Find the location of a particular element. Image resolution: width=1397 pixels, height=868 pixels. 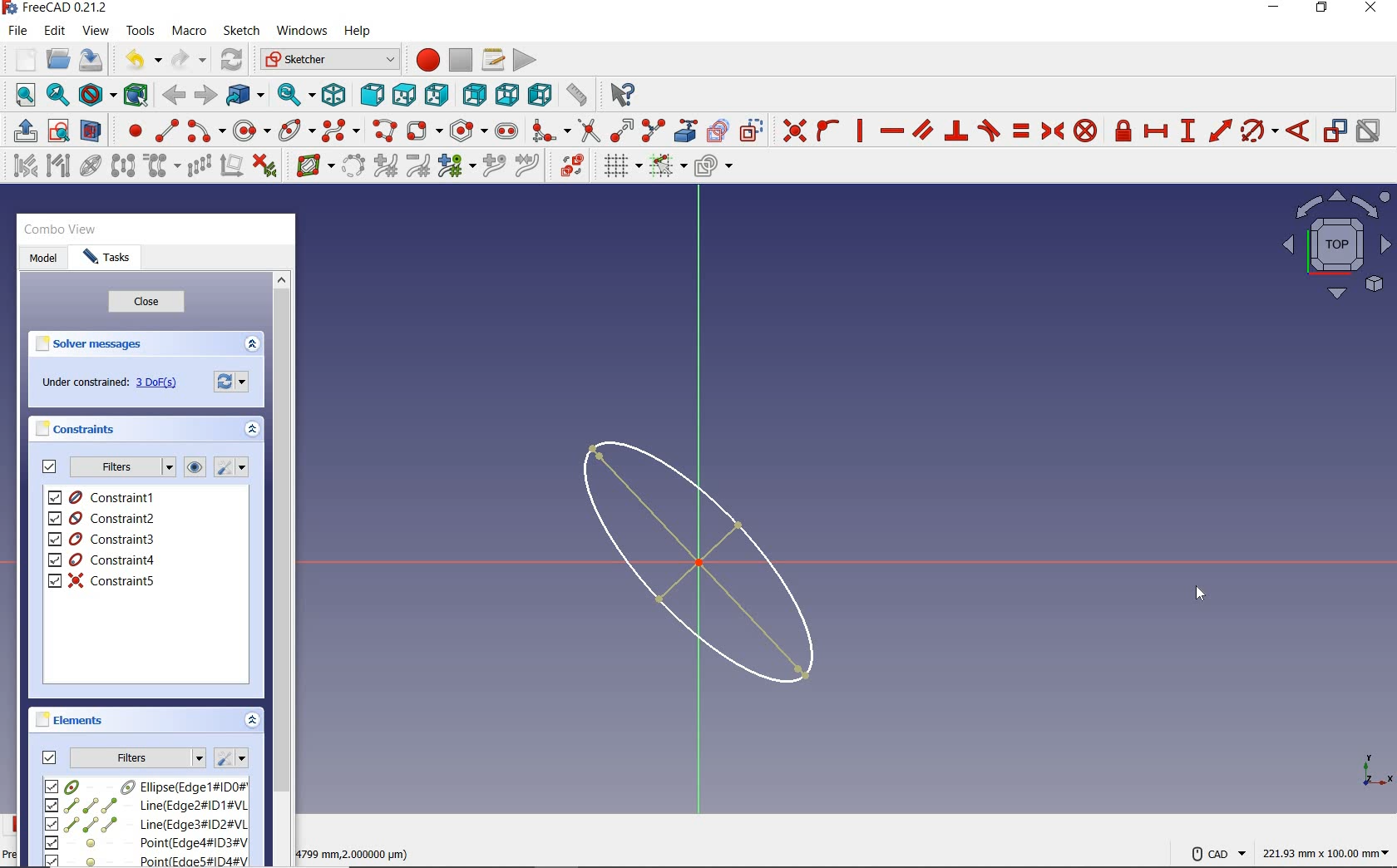

constrain angle is located at coordinates (1298, 130).